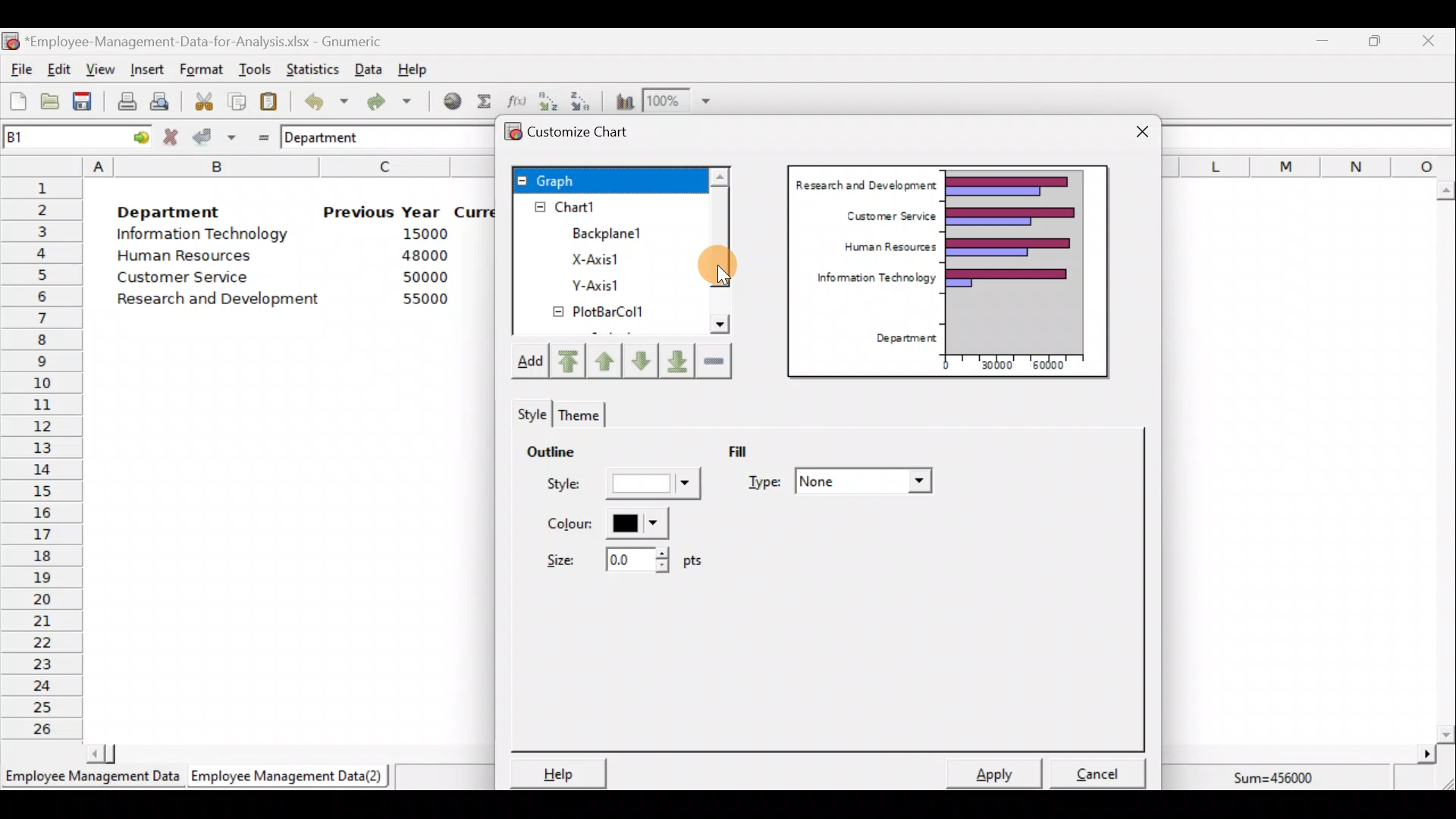  Describe the element at coordinates (604, 523) in the screenshot. I see `Color` at that location.